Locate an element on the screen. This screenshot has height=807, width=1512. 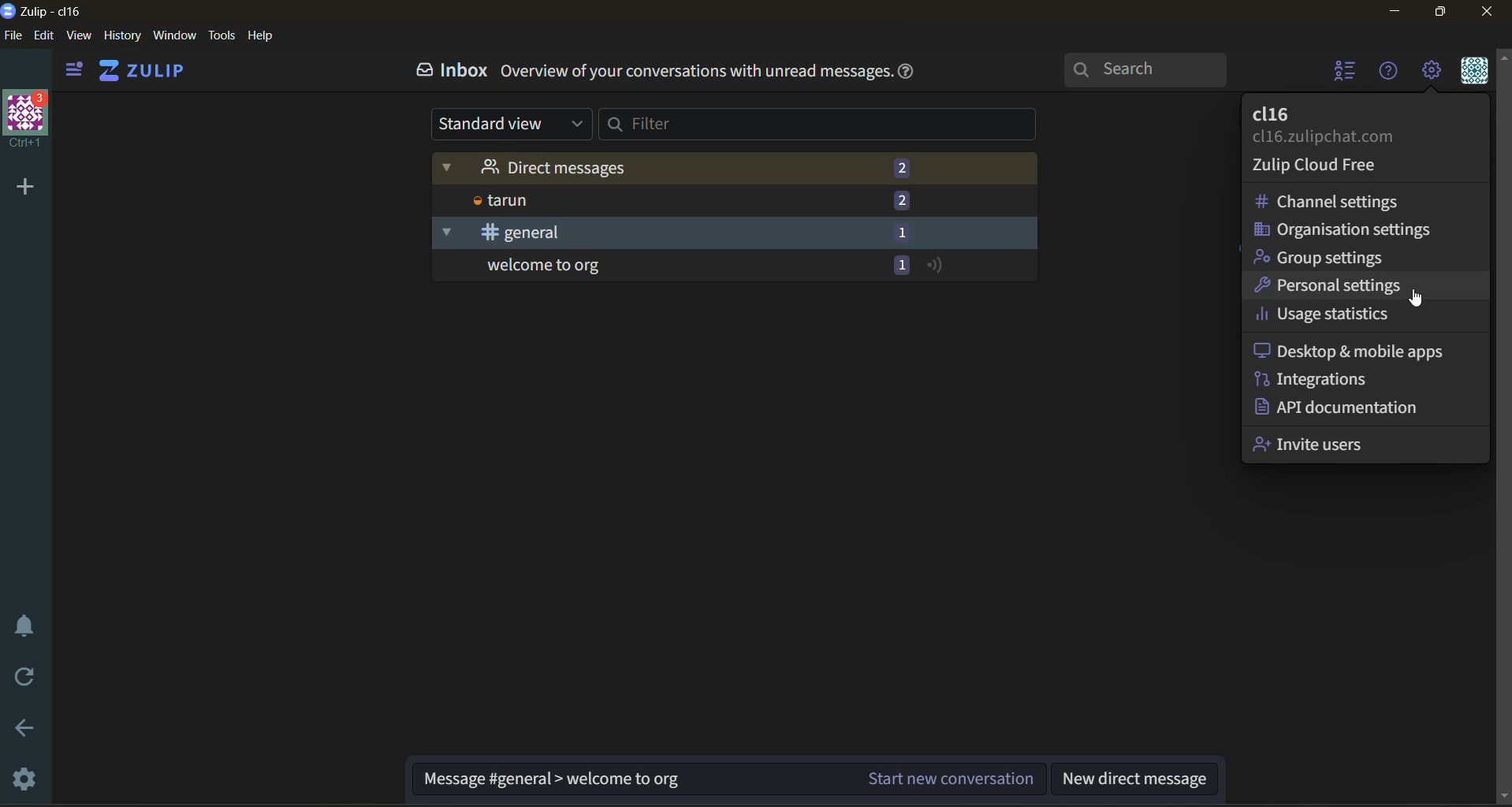
window is located at coordinates (174, 35).